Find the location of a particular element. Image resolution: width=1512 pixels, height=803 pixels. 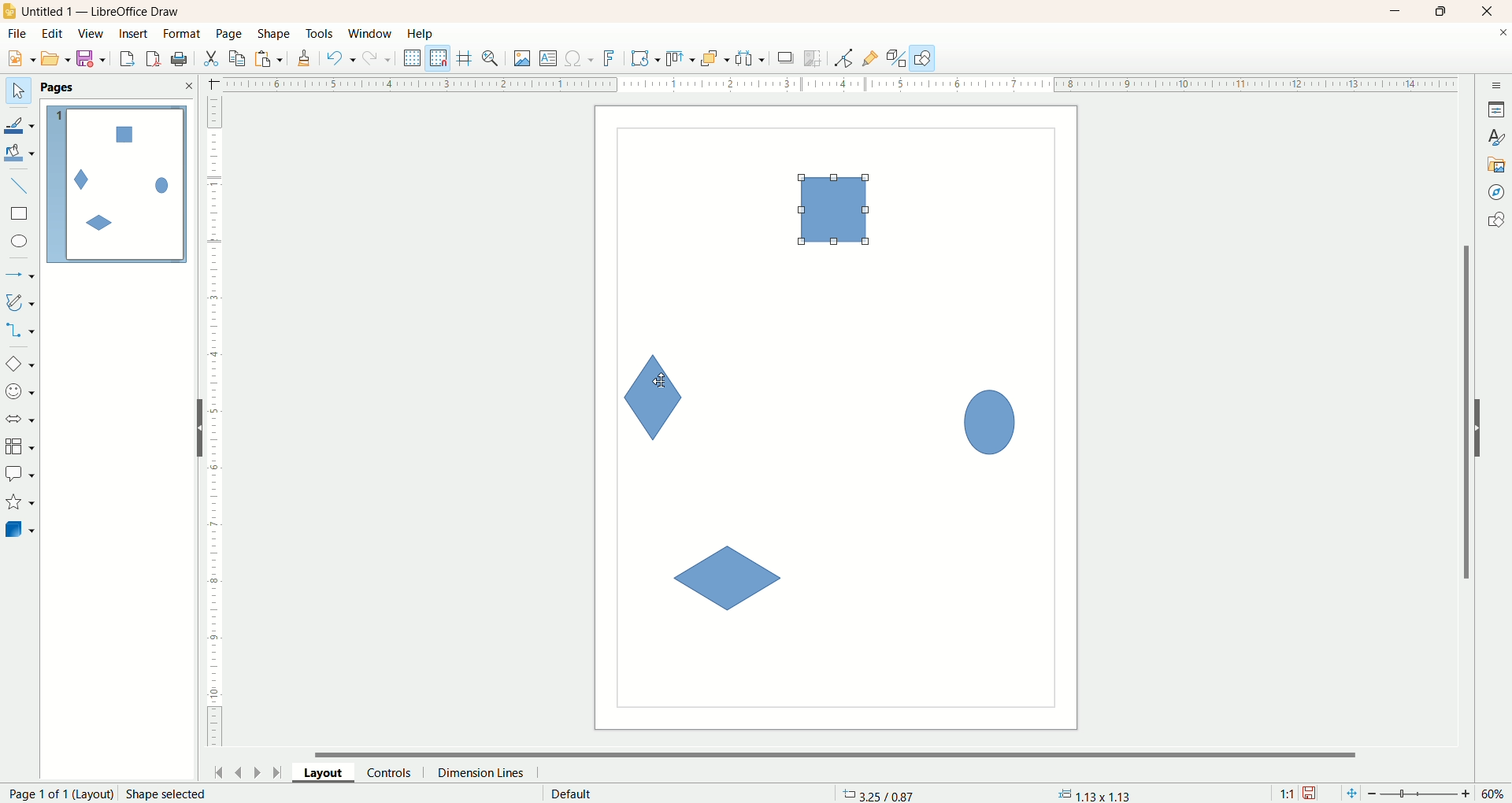

gluepoint function is located at coordinates (870, 59).